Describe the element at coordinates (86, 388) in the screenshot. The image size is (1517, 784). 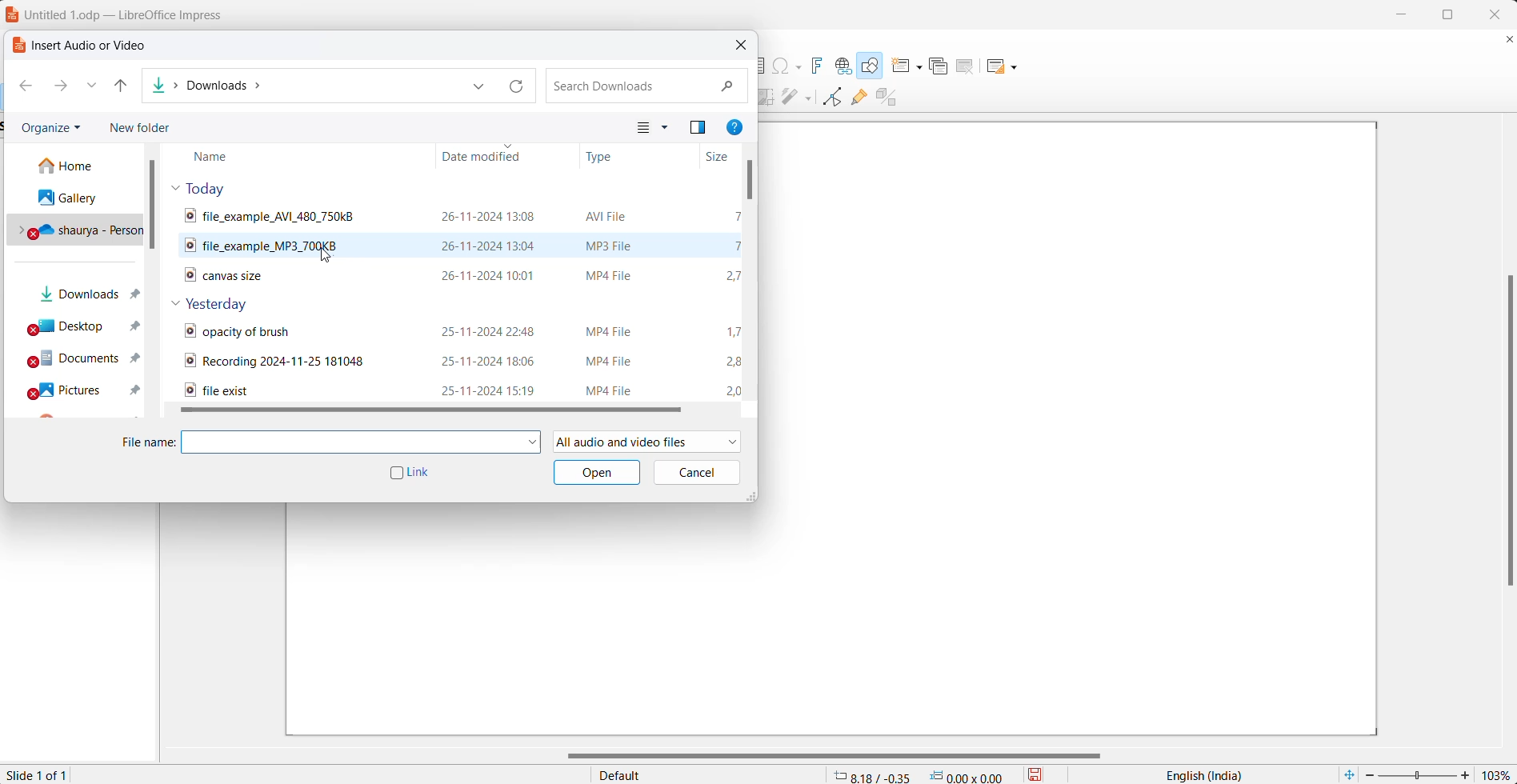
I see `pictures` at that location.